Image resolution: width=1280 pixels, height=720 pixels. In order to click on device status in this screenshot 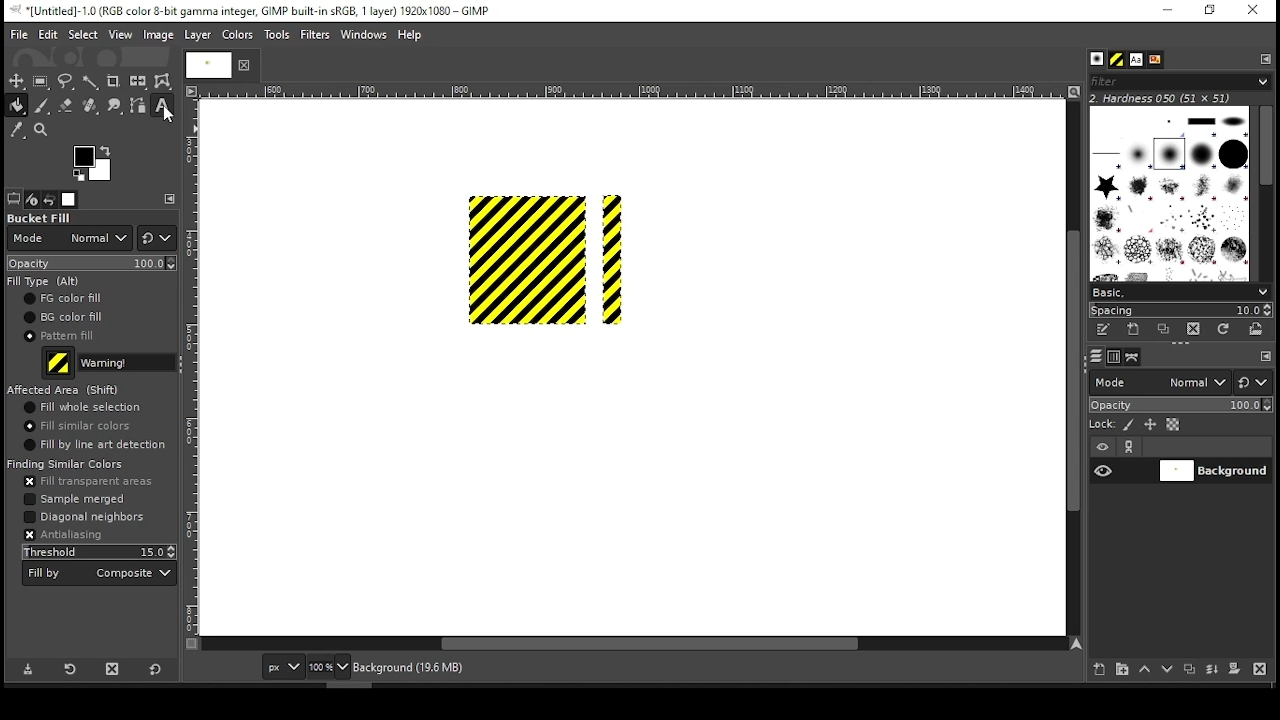, I will do `click(32, 199)`.